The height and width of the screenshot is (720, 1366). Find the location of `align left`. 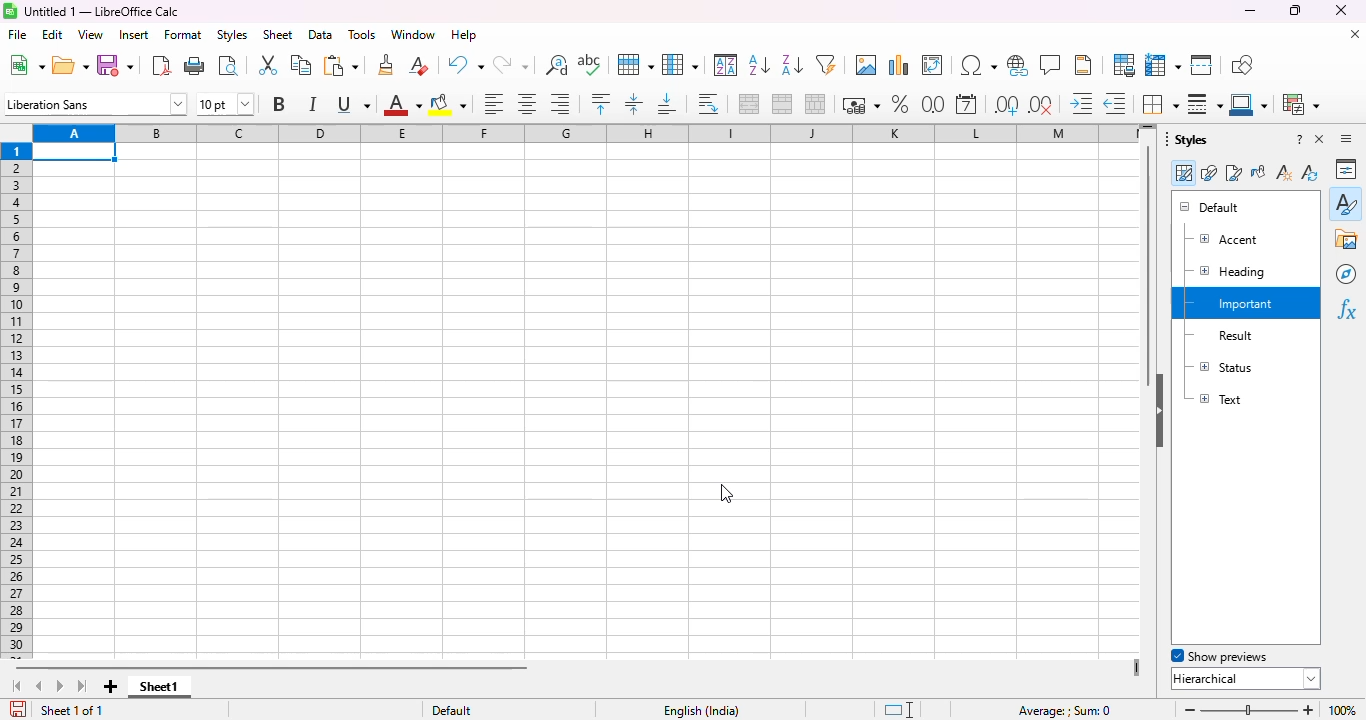

align left is located at coordinates (494, 103).